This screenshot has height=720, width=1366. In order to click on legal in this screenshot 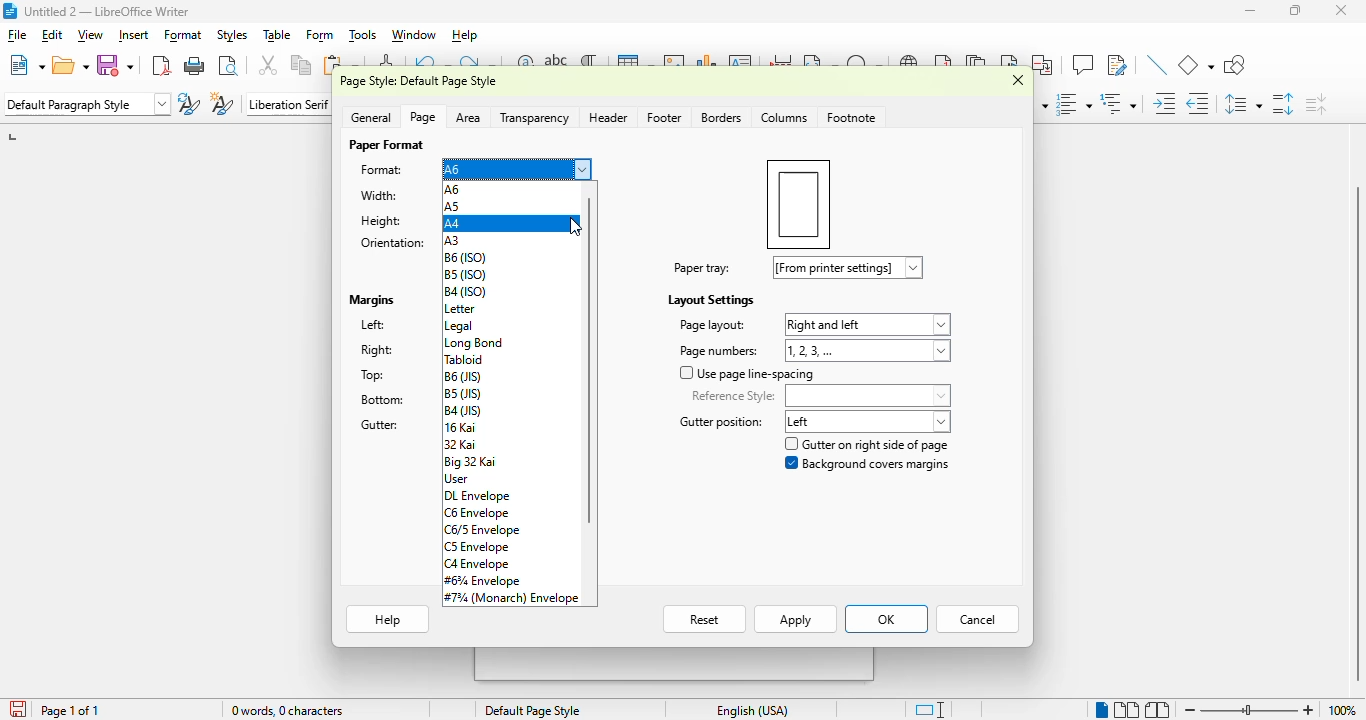, I will do `click(460, 326)`.